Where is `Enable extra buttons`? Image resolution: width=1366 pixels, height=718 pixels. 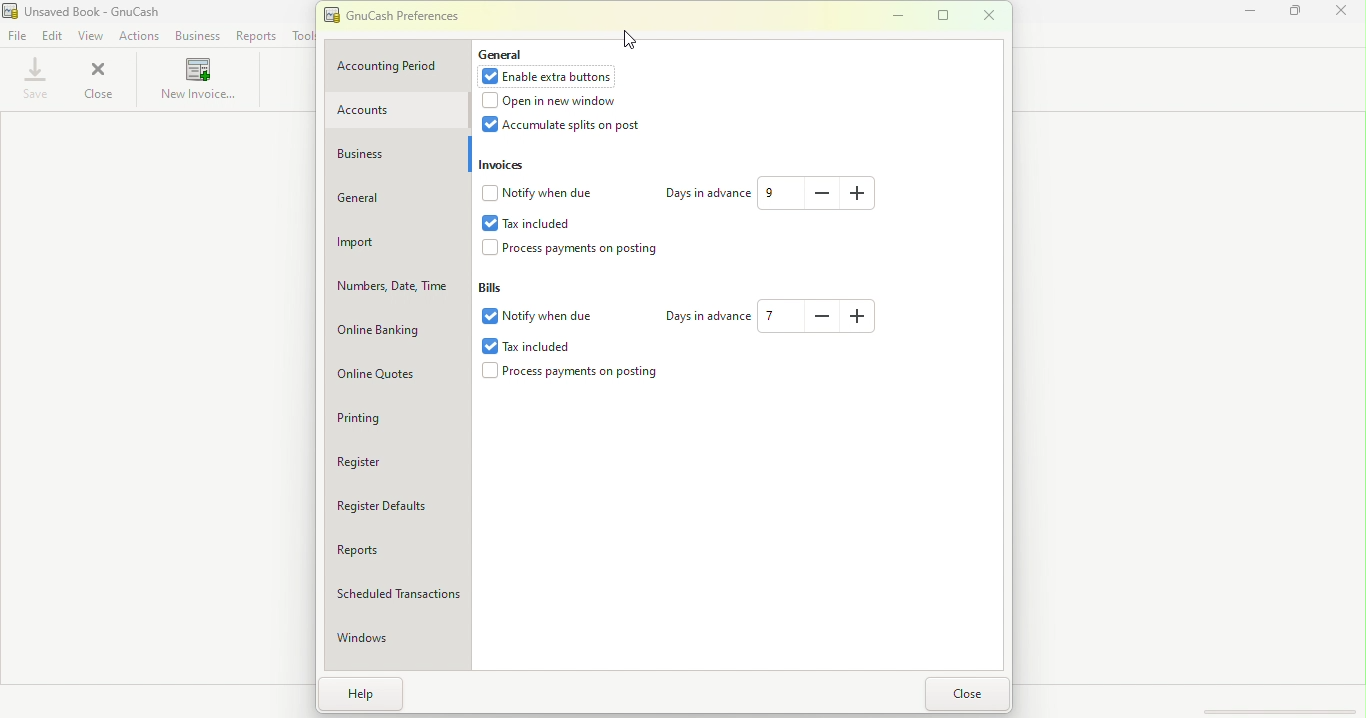 Enable extra buttons is located at coordinates (552, 76).